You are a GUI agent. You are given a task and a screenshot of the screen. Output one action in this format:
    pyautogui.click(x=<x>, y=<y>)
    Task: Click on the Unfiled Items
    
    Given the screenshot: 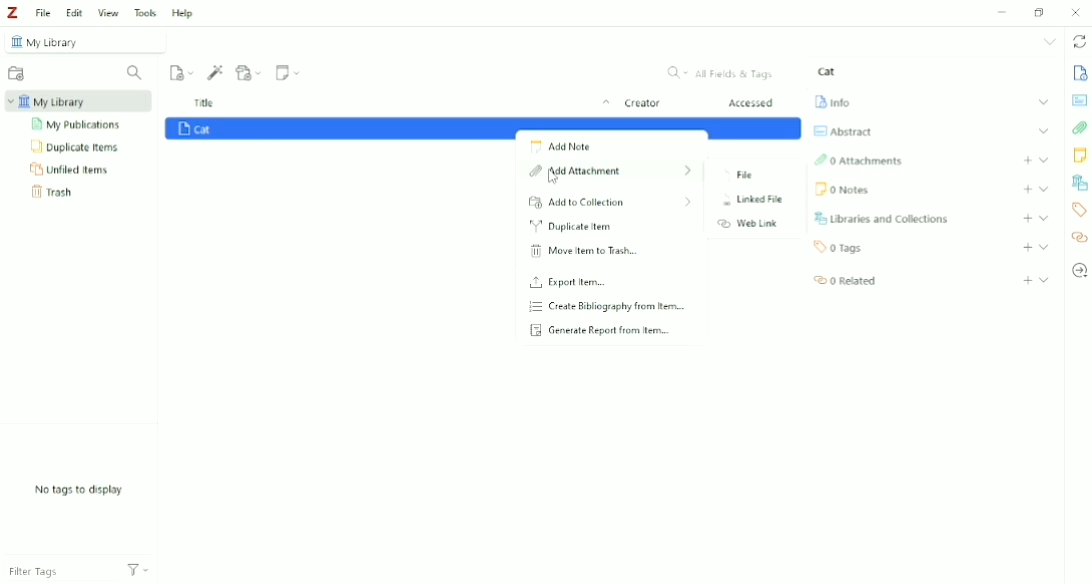 What is the action you would take?
    pyautogui.click(x=71, y=168)
    